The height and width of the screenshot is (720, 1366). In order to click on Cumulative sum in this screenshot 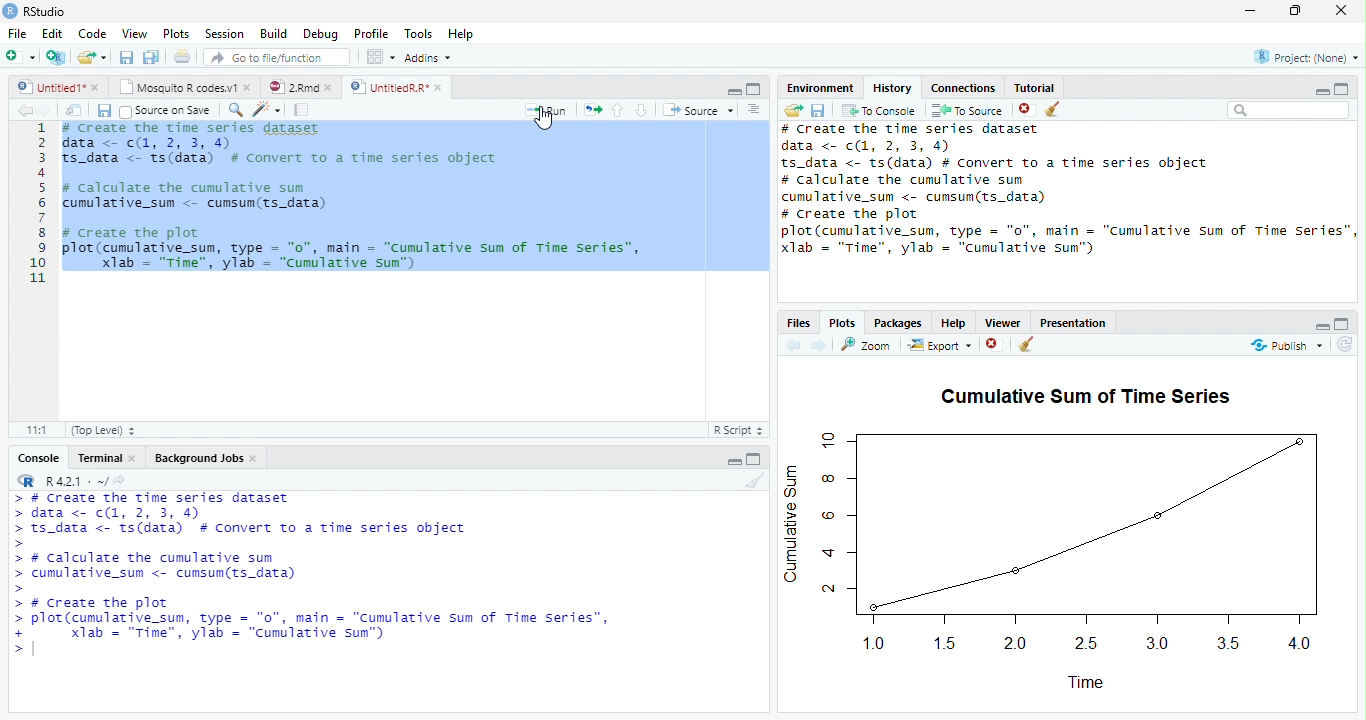, I will do `click(788, 527)`.